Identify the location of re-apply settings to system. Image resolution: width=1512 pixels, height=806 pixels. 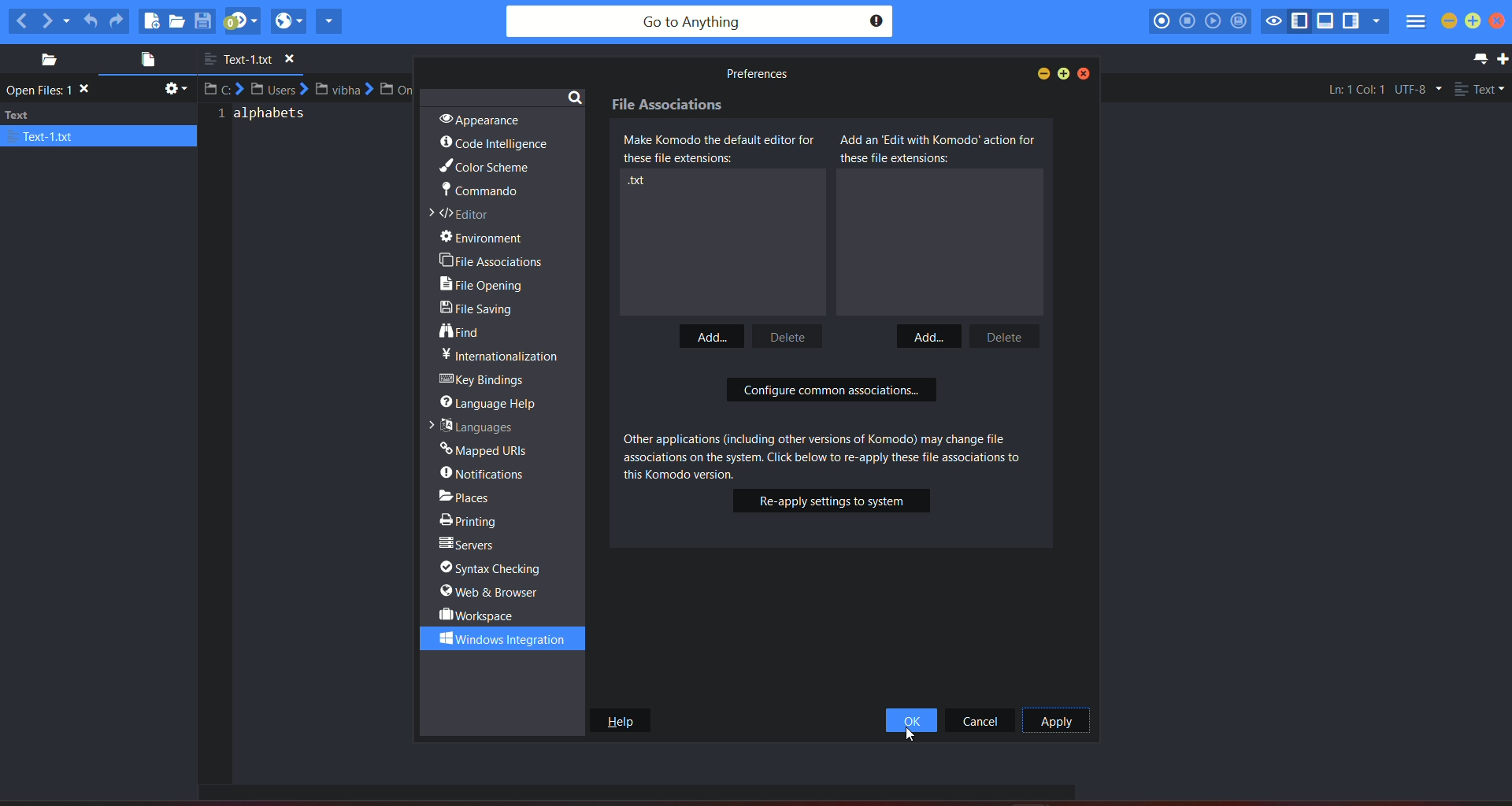
(832, 501).